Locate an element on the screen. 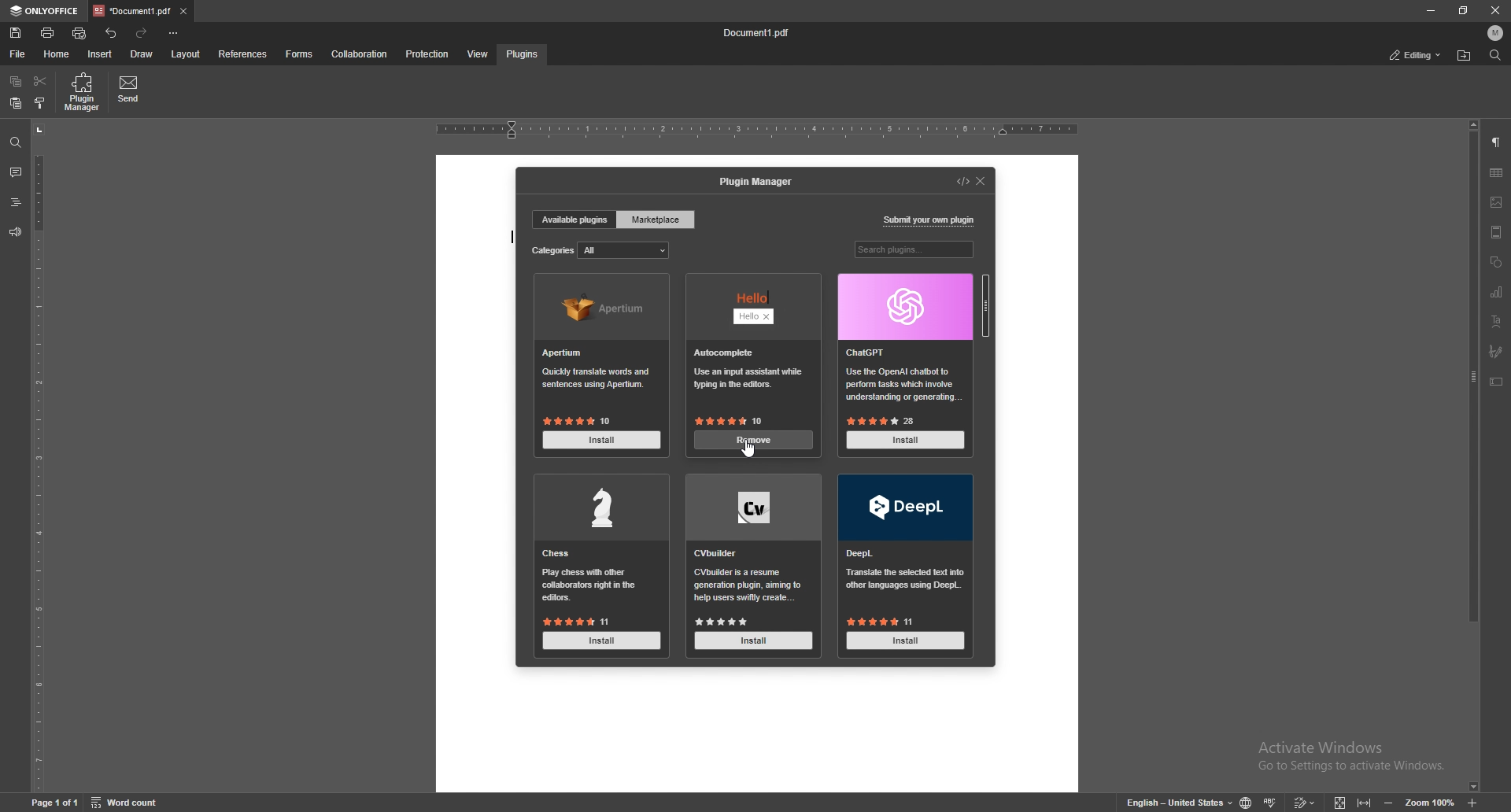 The image size is (1511, 812). Word count is located at coordinates (131, 802).